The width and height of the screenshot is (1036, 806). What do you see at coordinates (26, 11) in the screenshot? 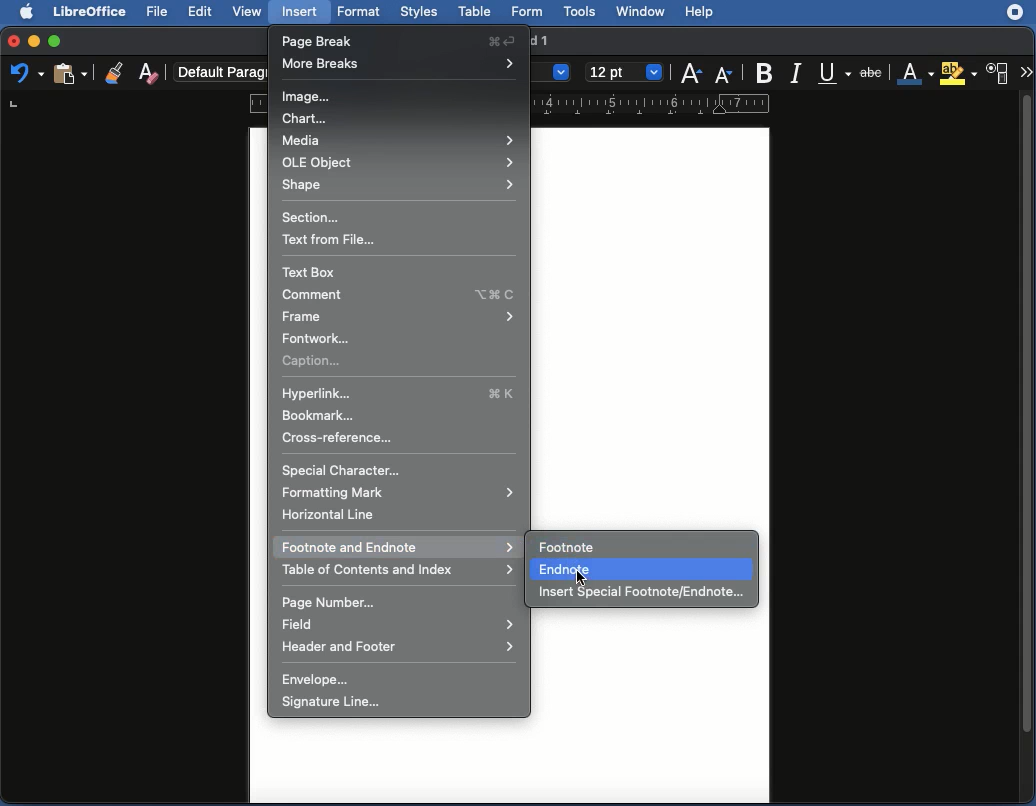
I see `Apple Logo` at bounding box center [26, 11].